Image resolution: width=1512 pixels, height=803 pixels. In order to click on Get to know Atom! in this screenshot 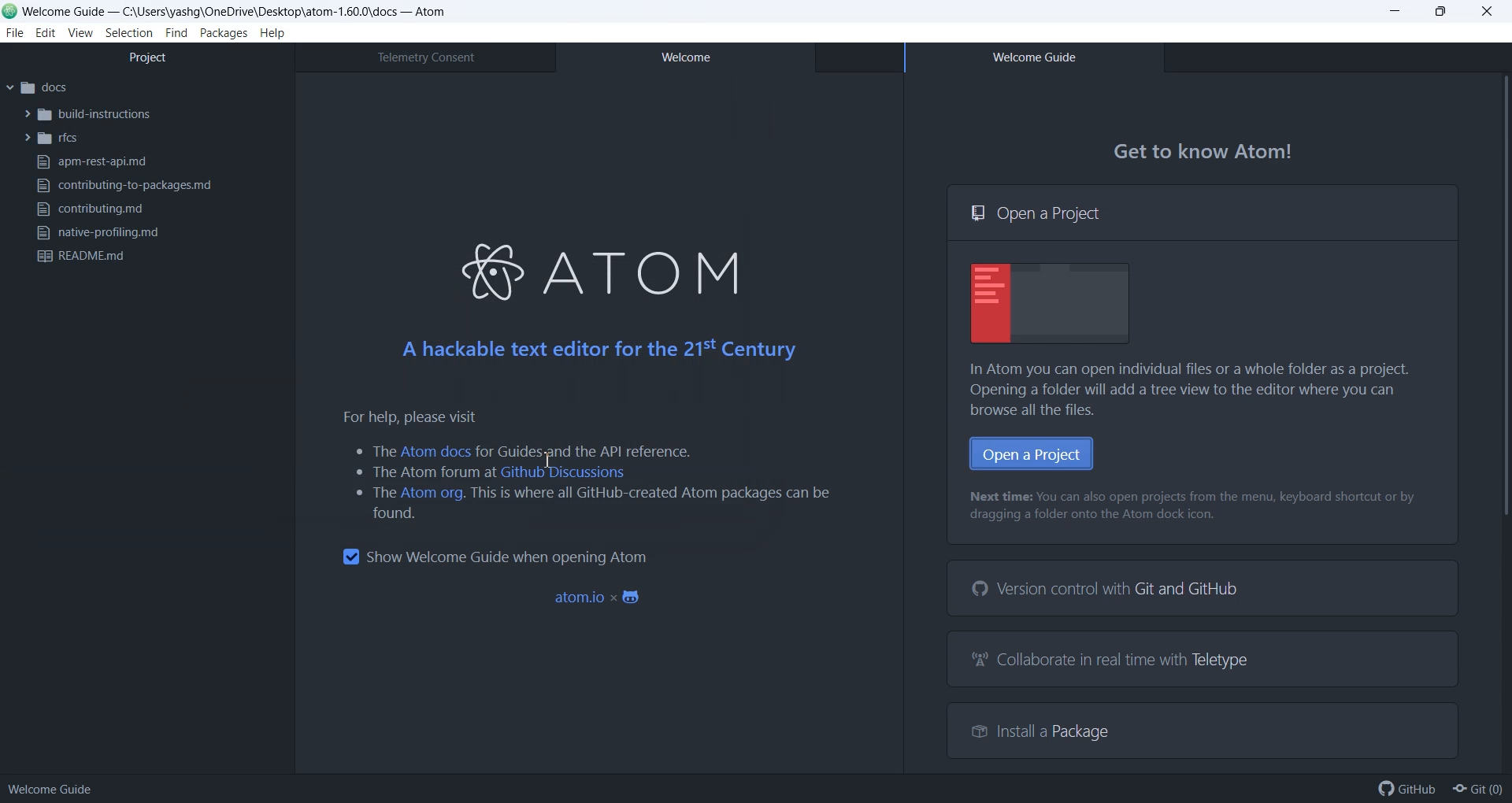, I will do `click(1205, 152)`.